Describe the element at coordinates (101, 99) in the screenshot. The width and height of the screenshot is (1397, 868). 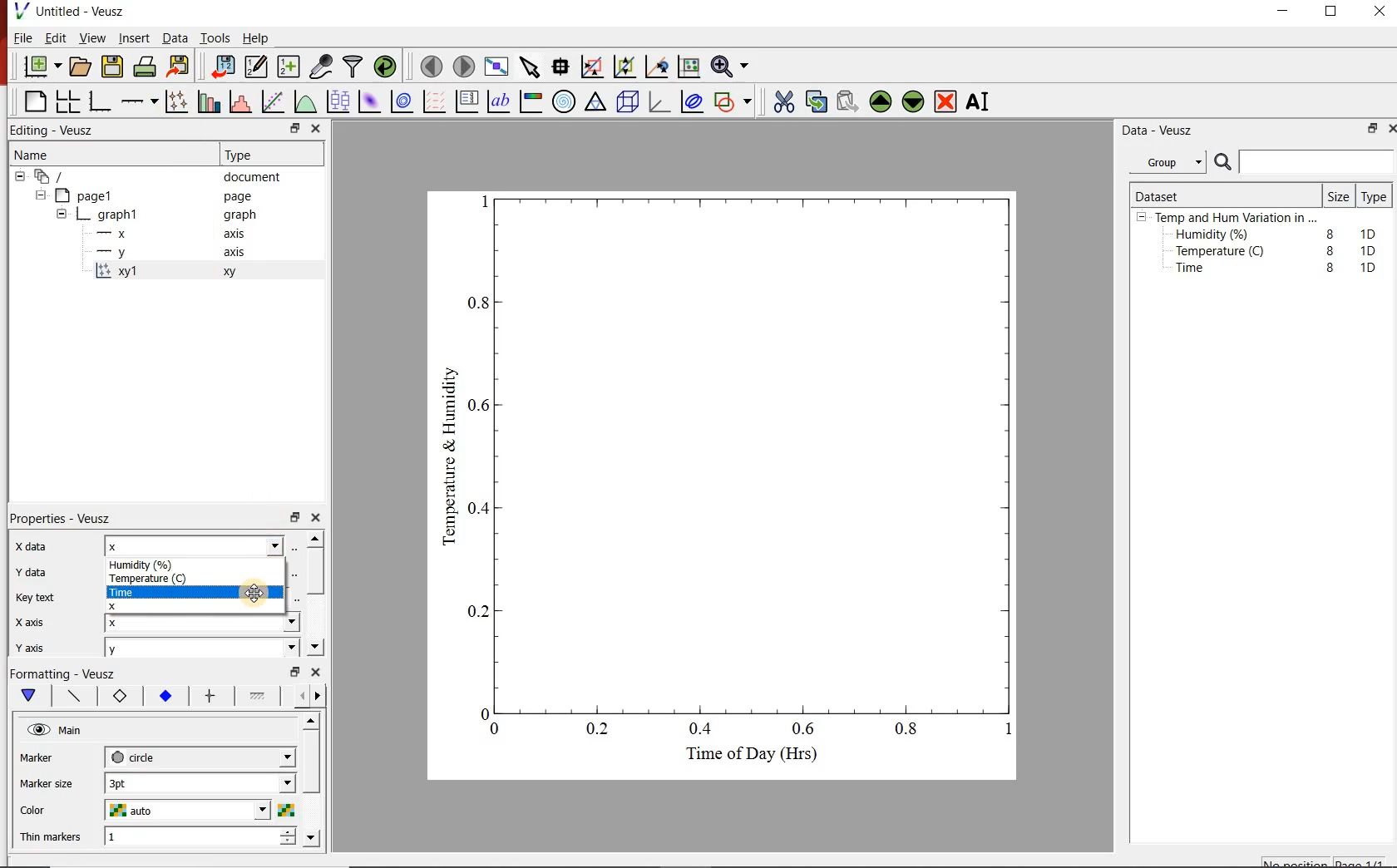
I see `base graph` at that location.